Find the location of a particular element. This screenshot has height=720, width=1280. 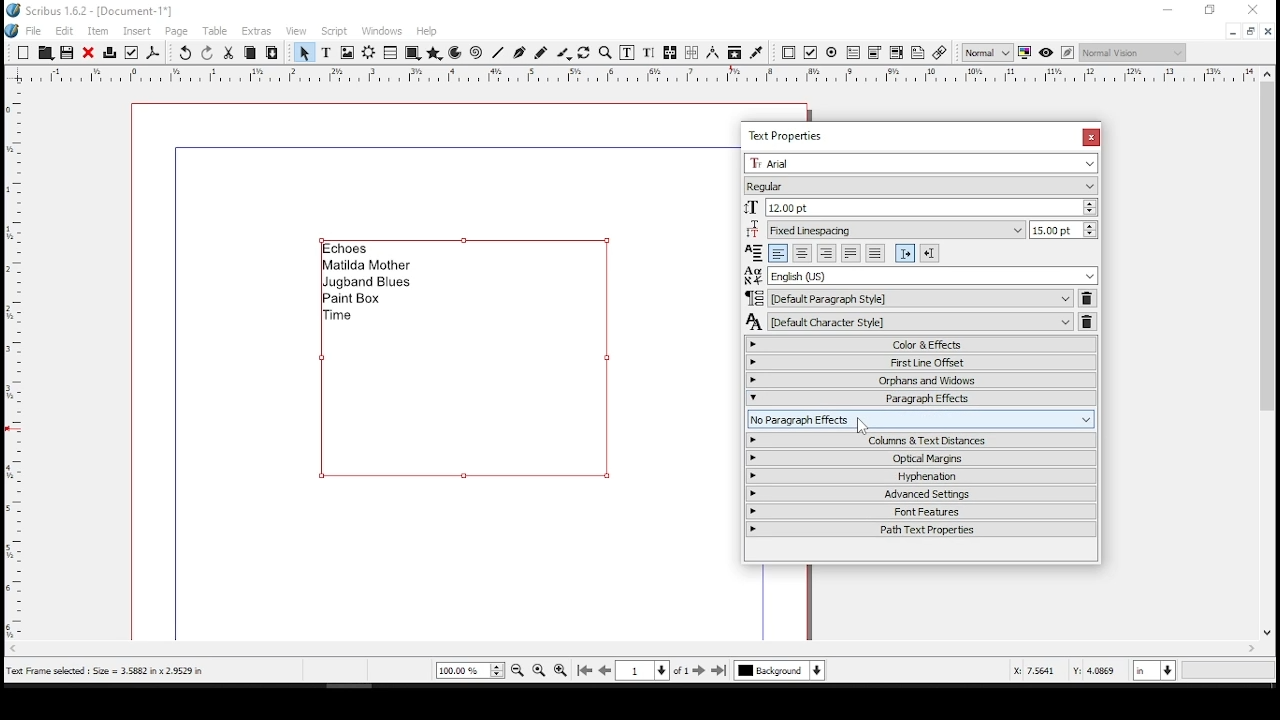

link text frames is located at coordinates (670, 54).